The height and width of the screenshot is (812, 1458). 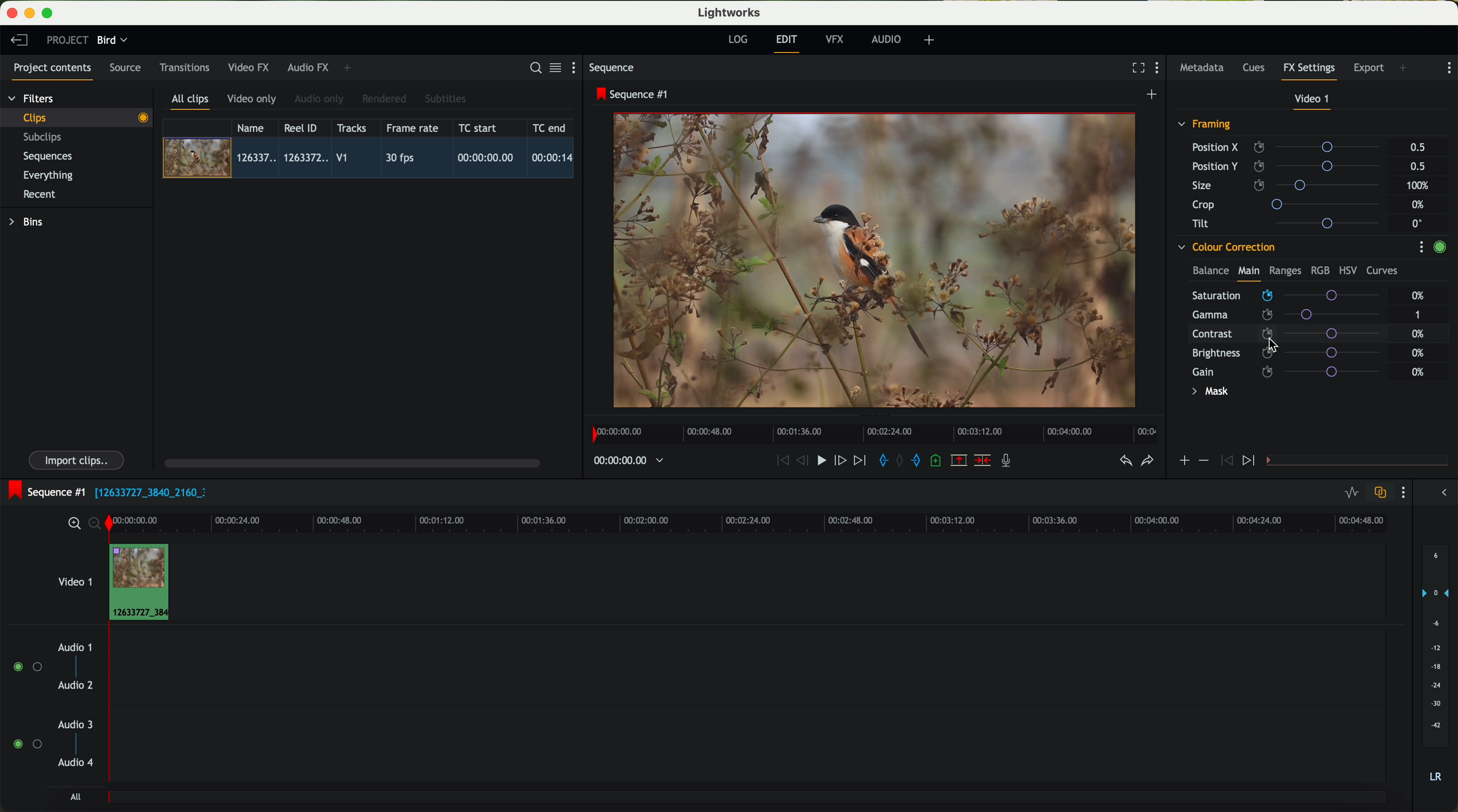 What do you see at coordinates (350, 68) in the screenshot?
I see `add panel` at bounding box center [350, 68].